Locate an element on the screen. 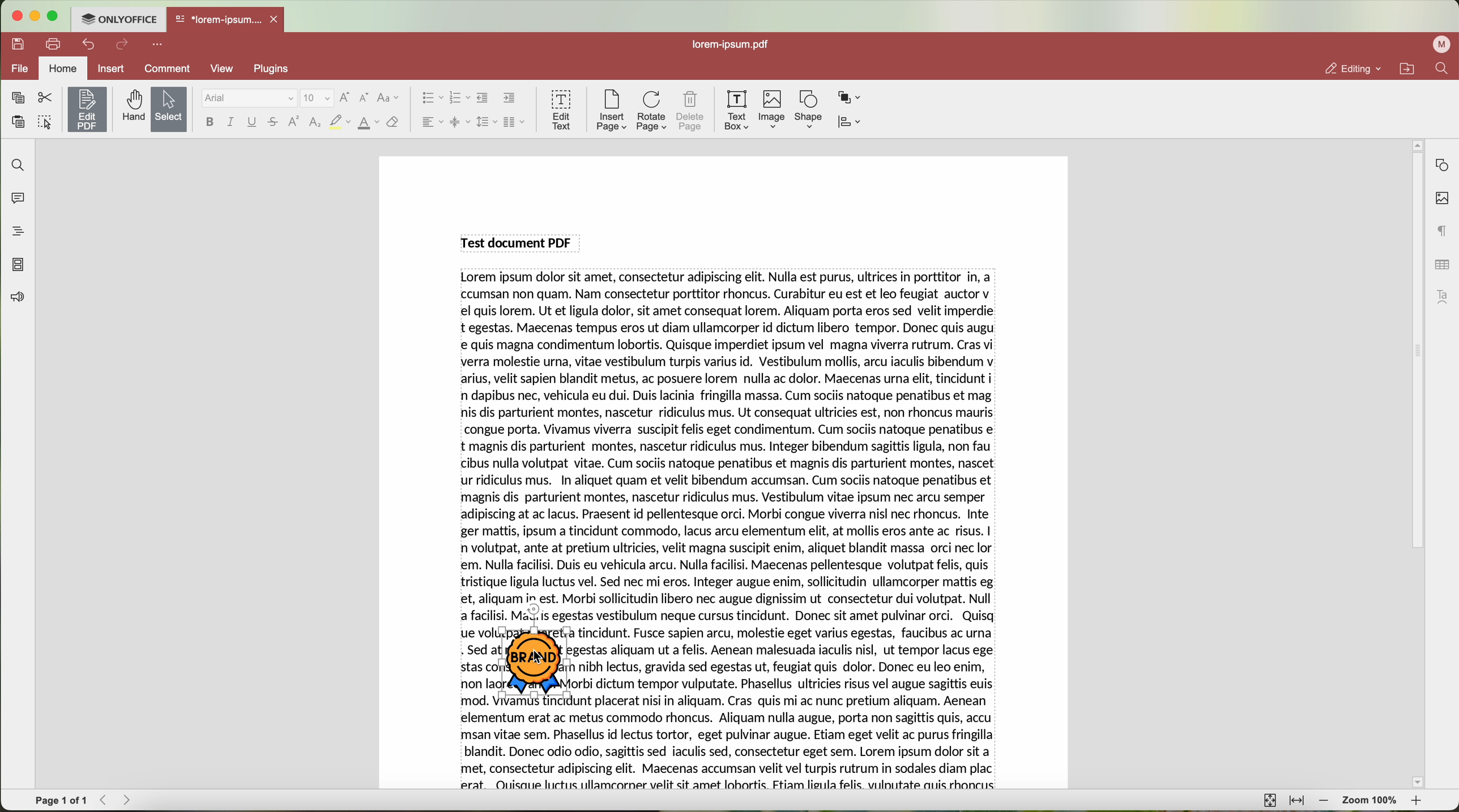  *lorem-ipsum.... is located at coordinates (217, 17).